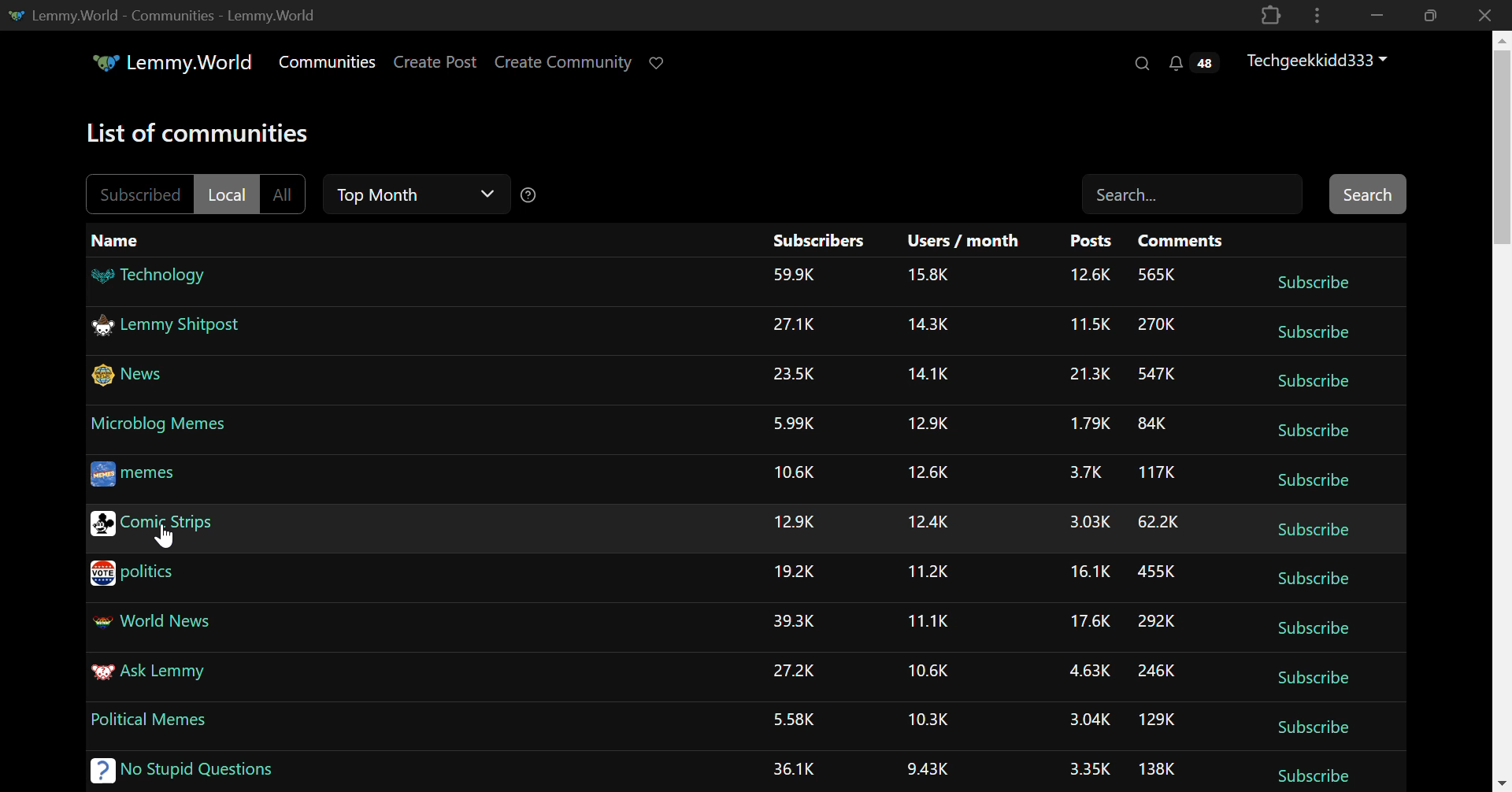 The width and height of the screenshot is (1512, 792). Describe the element at coordinates (436, 65) in the screenshot. I see `Create Post` at that location.